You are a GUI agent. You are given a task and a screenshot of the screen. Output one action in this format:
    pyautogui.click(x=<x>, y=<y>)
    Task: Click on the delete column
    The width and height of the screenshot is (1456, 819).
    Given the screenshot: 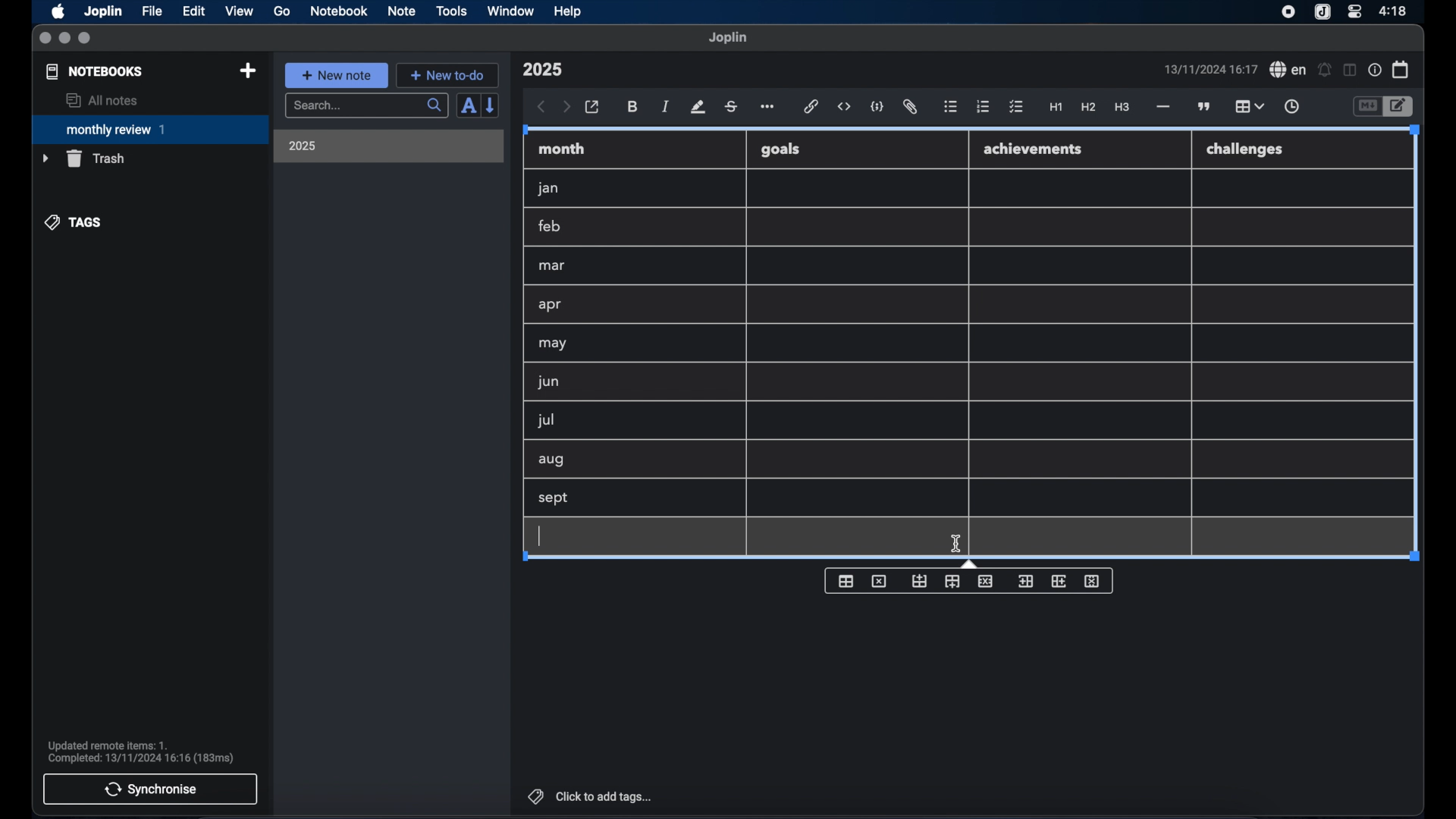 What is the action you would take?
    pyautogui.click(x=1094, y=582)
    